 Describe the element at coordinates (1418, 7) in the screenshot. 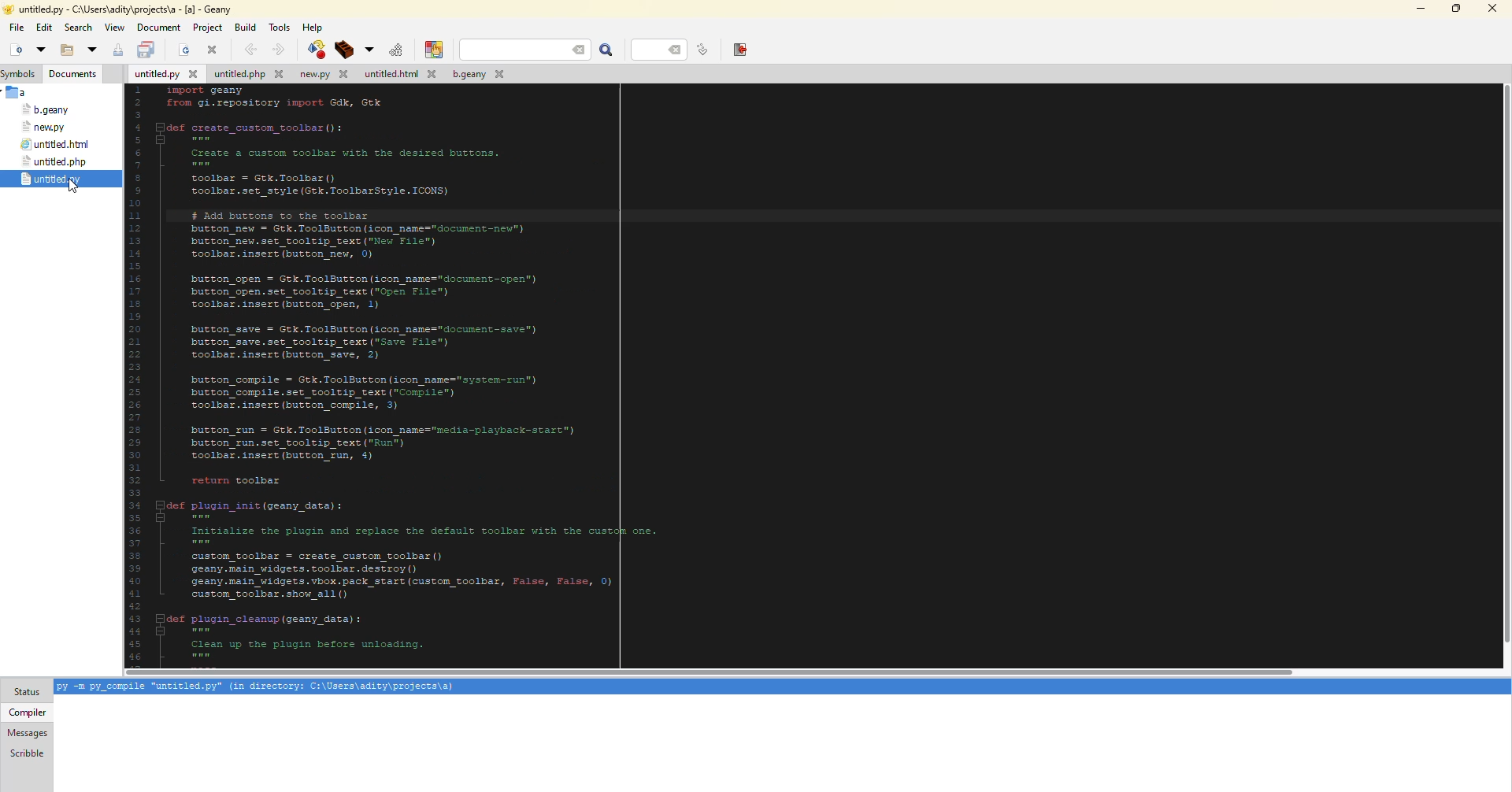

I see `minimize` at that location.